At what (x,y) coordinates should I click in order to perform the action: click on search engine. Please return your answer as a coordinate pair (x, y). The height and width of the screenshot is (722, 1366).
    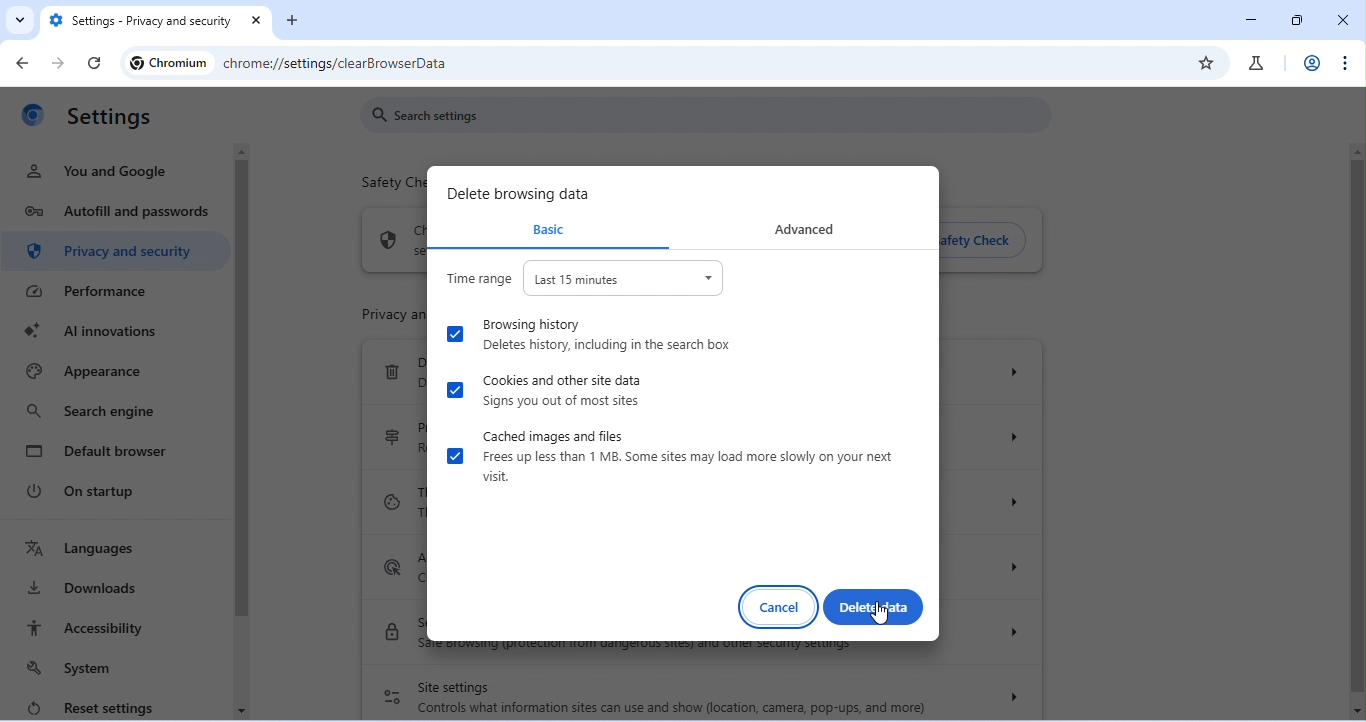
    Looking at the image, I should click on (90, 412).